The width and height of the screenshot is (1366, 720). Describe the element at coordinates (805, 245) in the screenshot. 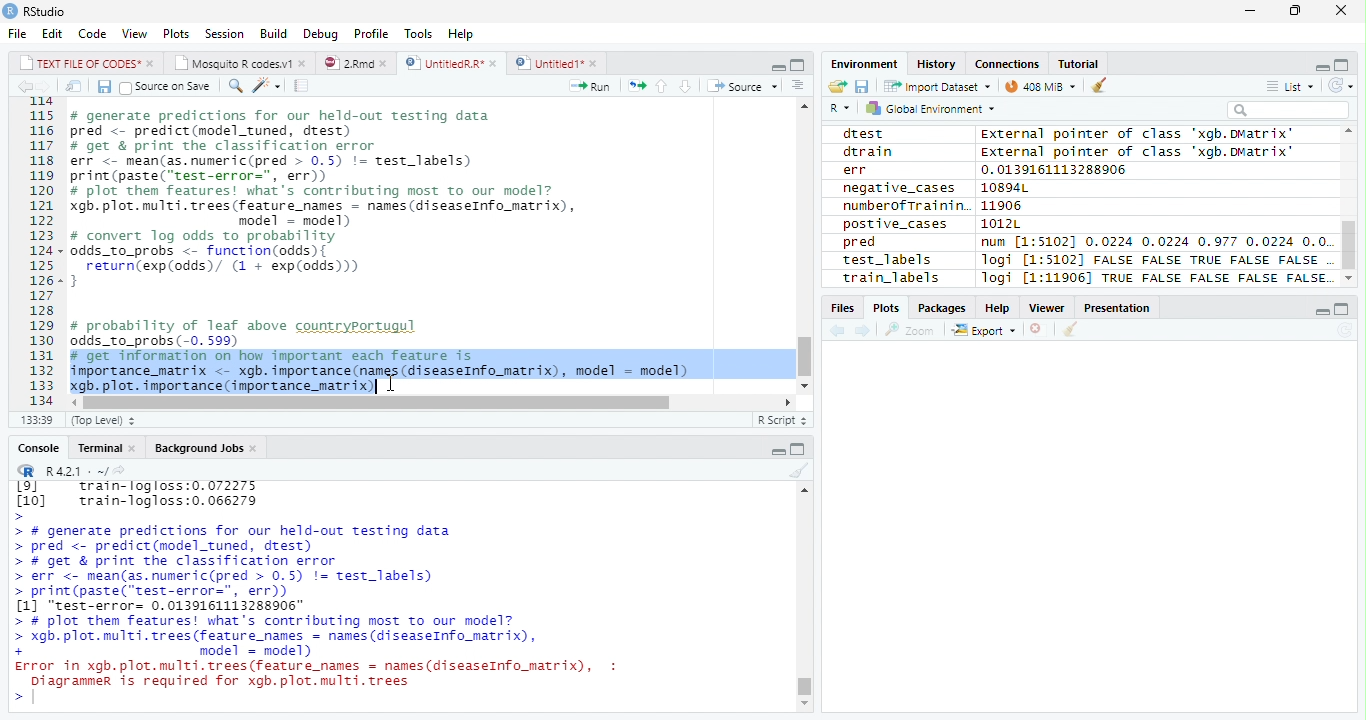

I see `Scroll` at that location.